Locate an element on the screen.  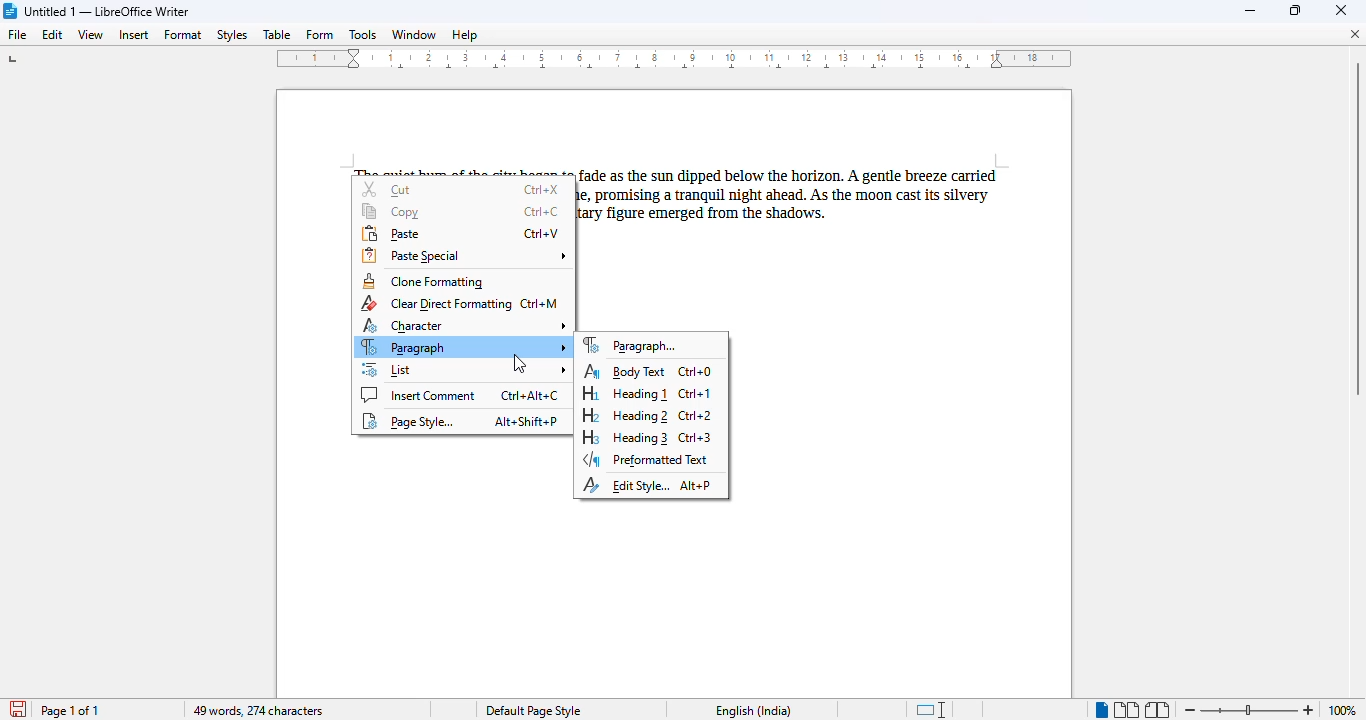
paste is located at coordinates (461, 233).